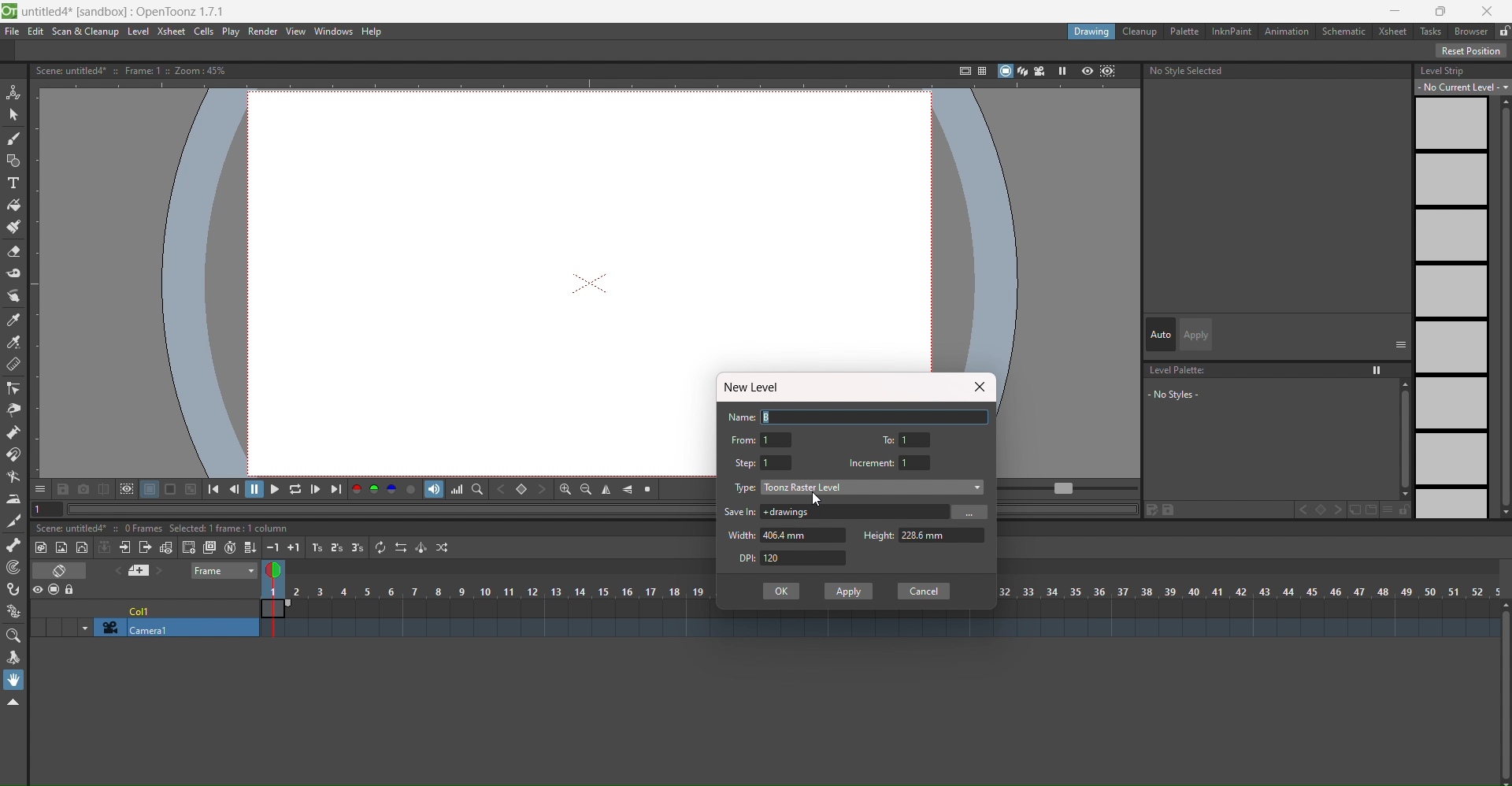 The width and height of the screenshot is (1512, 786). I want to click on new raster level, so click(62, 549).